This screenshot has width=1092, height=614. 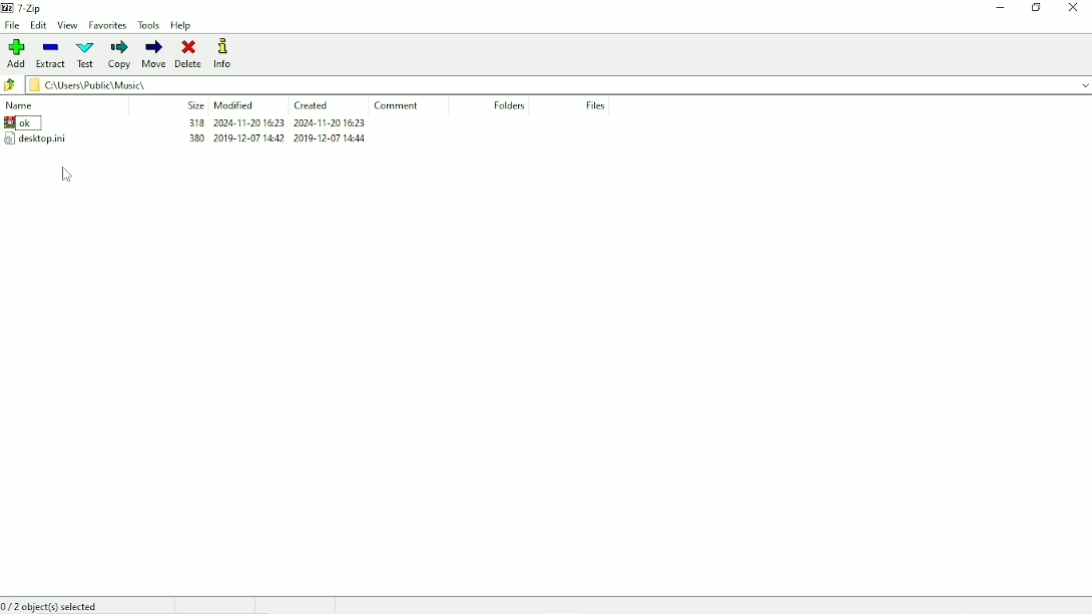 I want to click on Copy, so click(x=118, y=56).